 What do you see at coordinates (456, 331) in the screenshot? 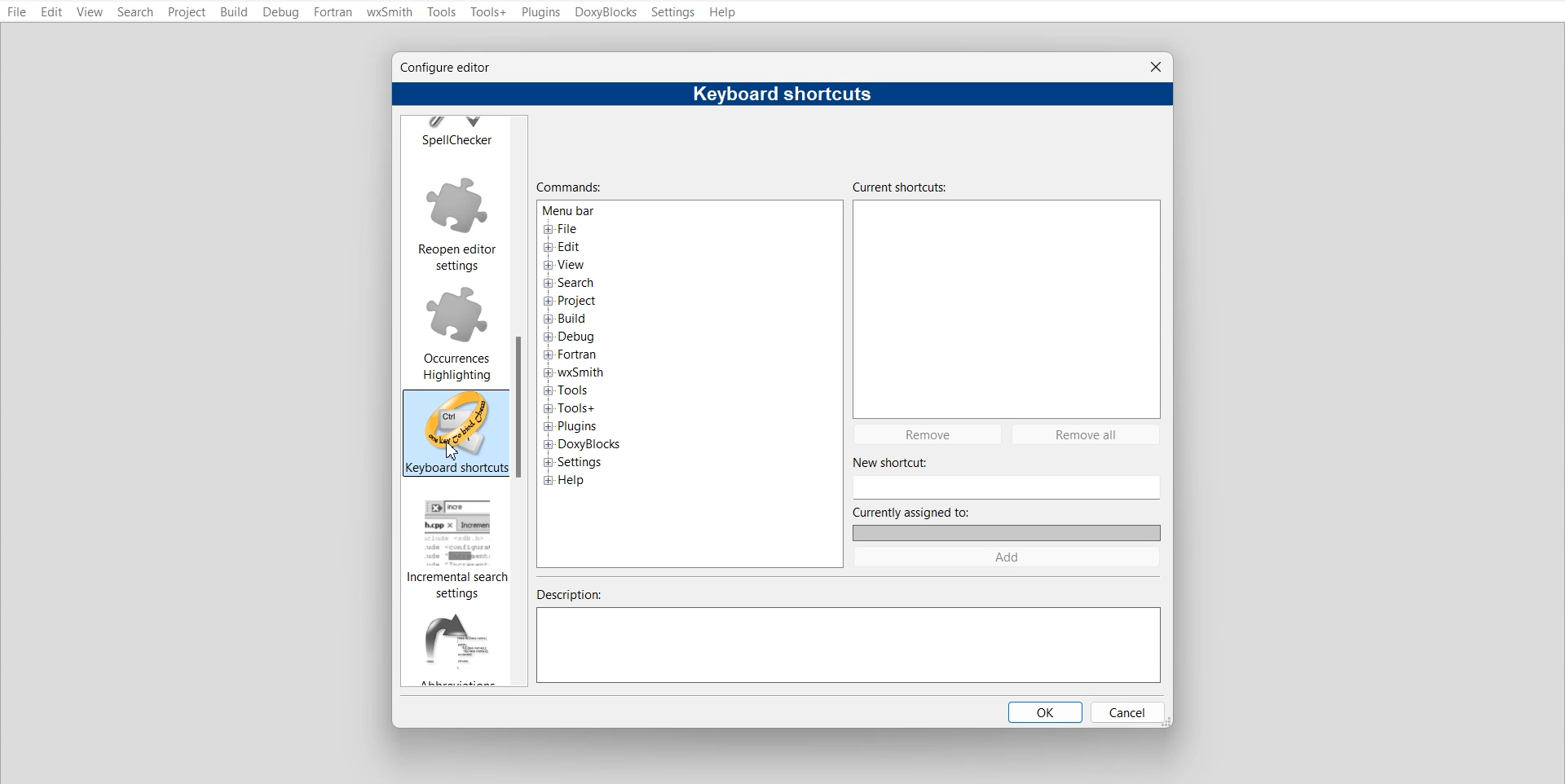
I see `Occurrences Highlighting` at bounding box center [456, 331].